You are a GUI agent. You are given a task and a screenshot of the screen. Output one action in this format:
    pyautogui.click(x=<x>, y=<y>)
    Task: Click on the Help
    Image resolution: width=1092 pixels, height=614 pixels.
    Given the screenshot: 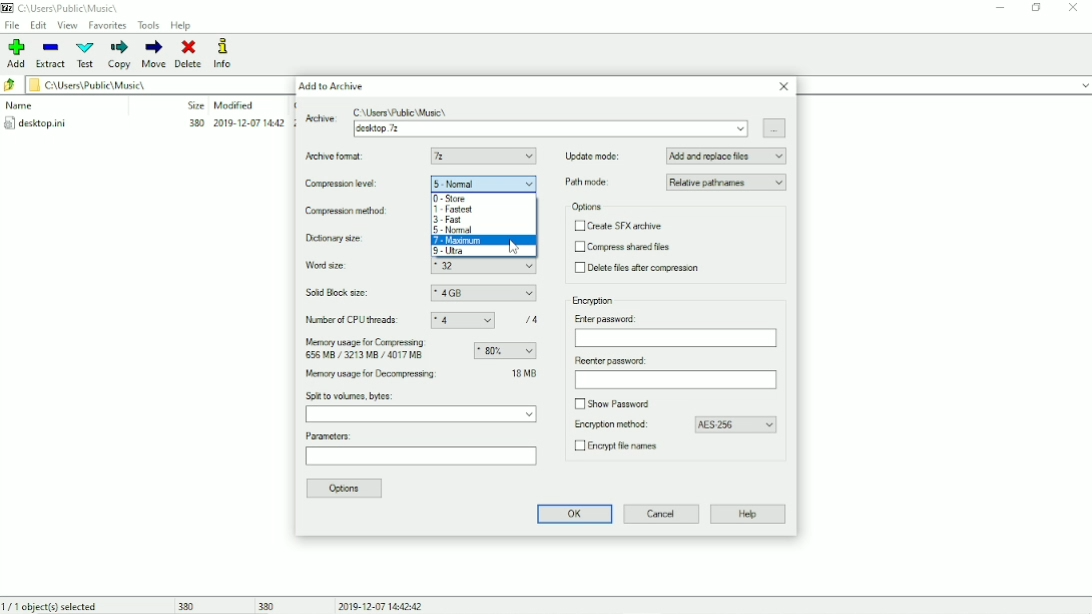 What is the action you would take?
    pyautogui.click(x=182, y=25)
    